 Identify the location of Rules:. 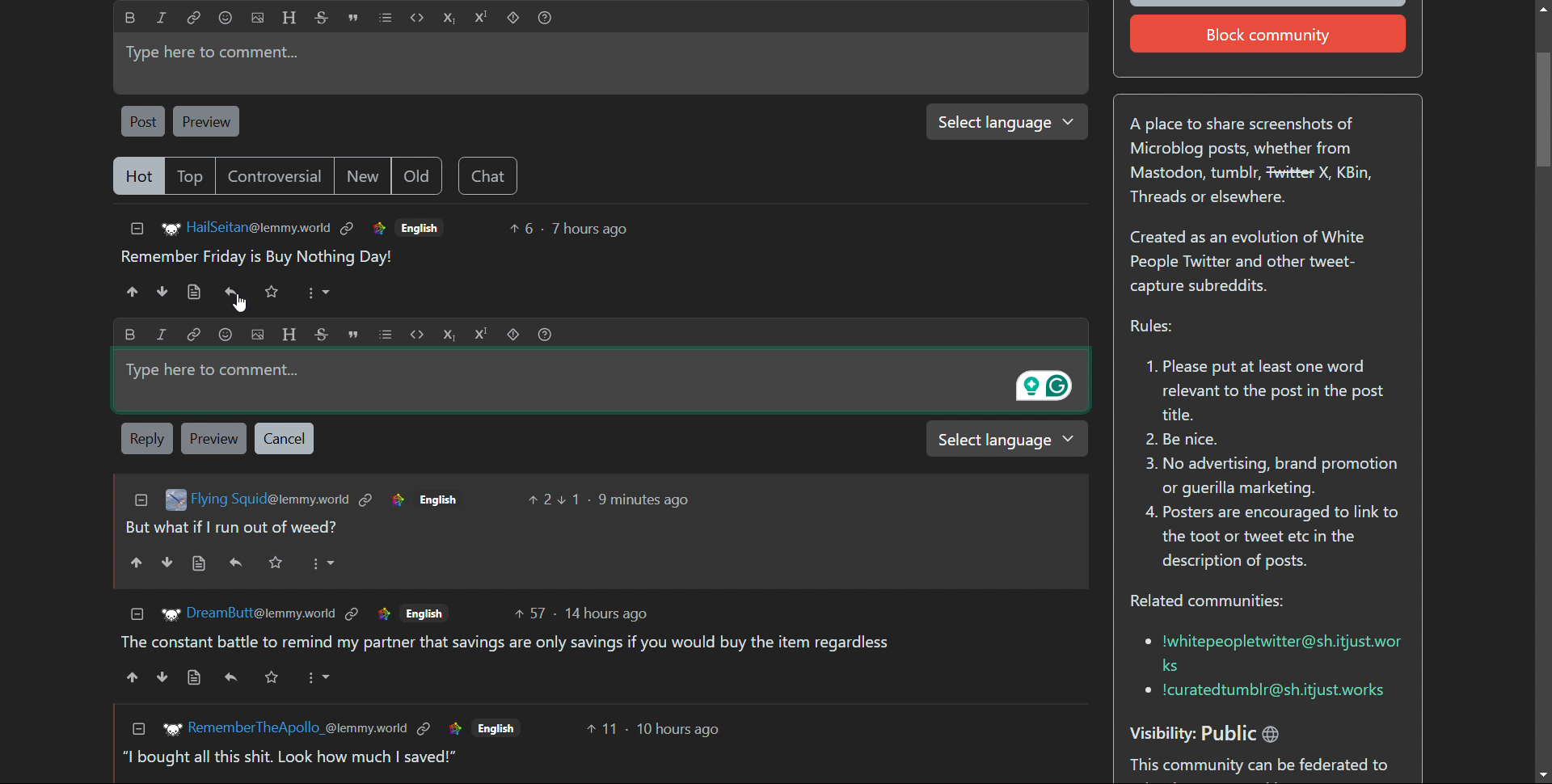
(1149, 327).